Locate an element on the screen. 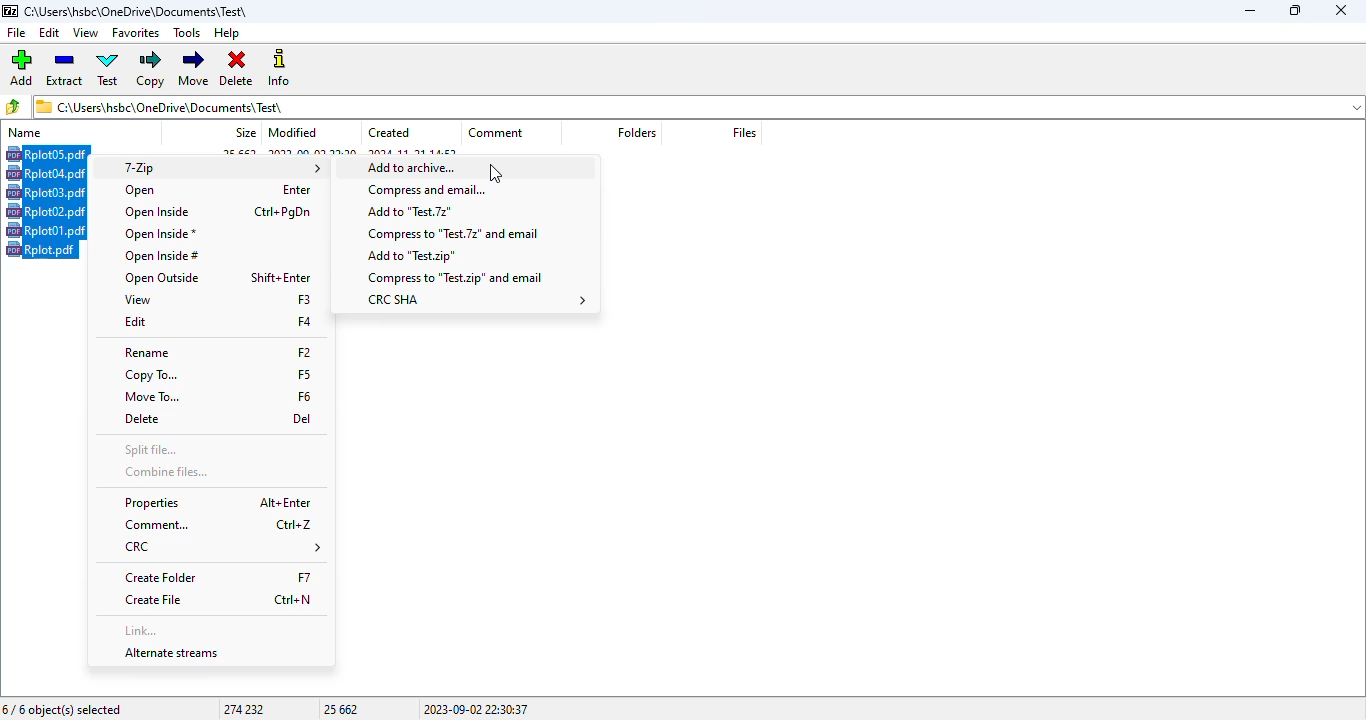 This screenshot has width=1366, height=720. 6/6 object(s) selected is located at coordinates (63, 710).